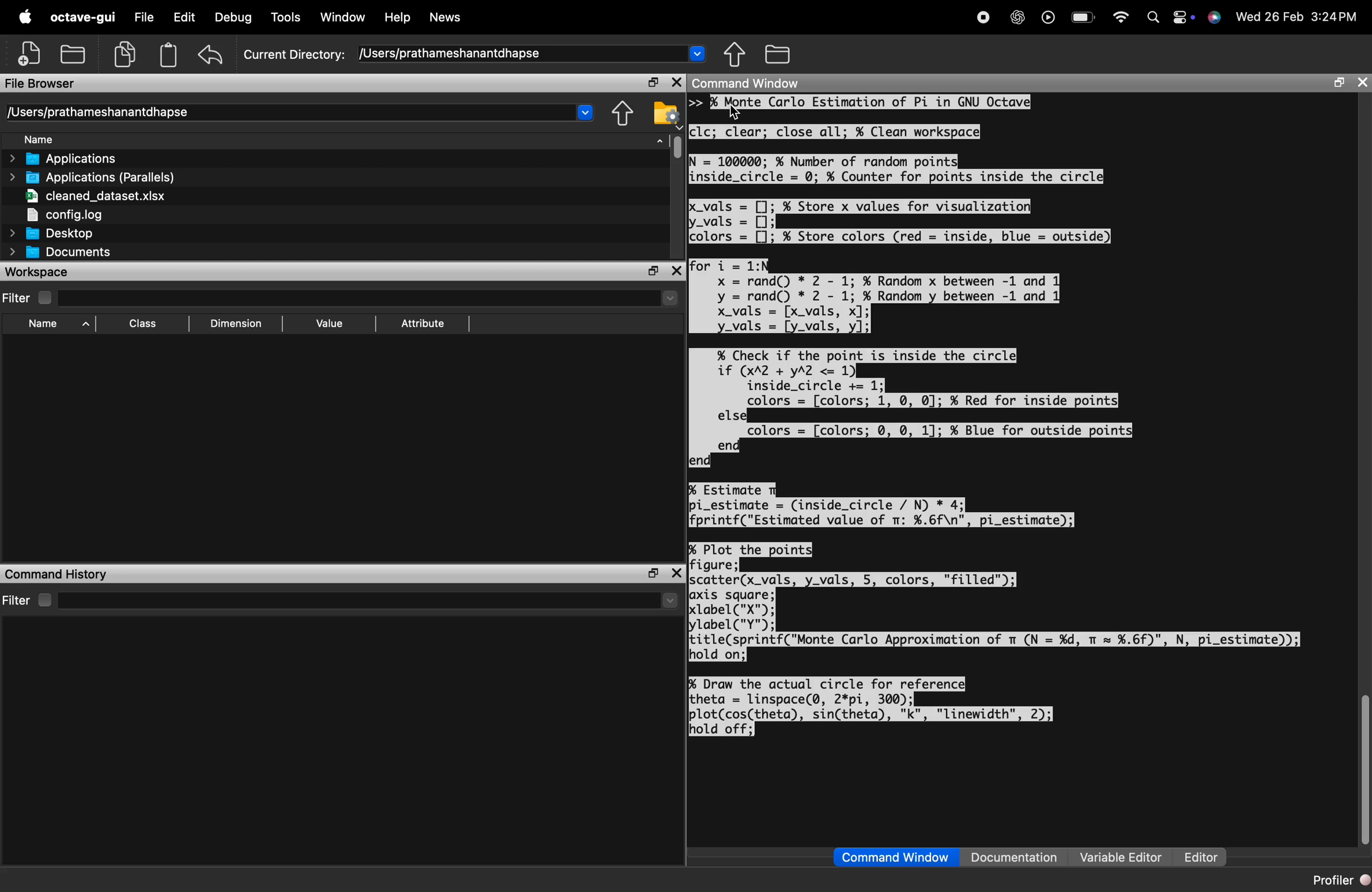 This screenshot has height=892, width=1372. What do you see at coordinates (1197, 857) in the screenshot?
I see `Editor` at bounding box center [1197, 857].